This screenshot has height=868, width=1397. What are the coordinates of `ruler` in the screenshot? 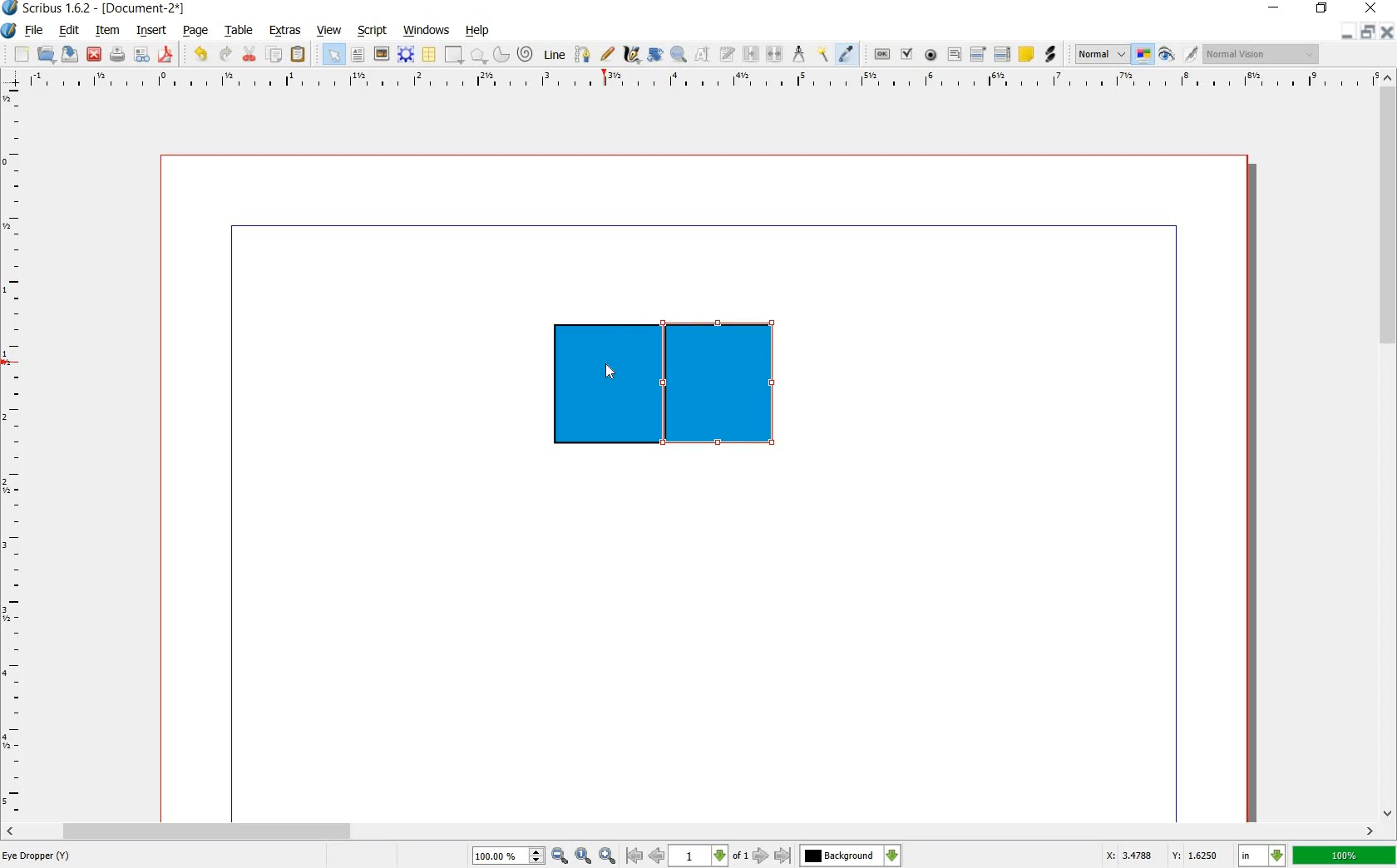 It's located at (14, 452).